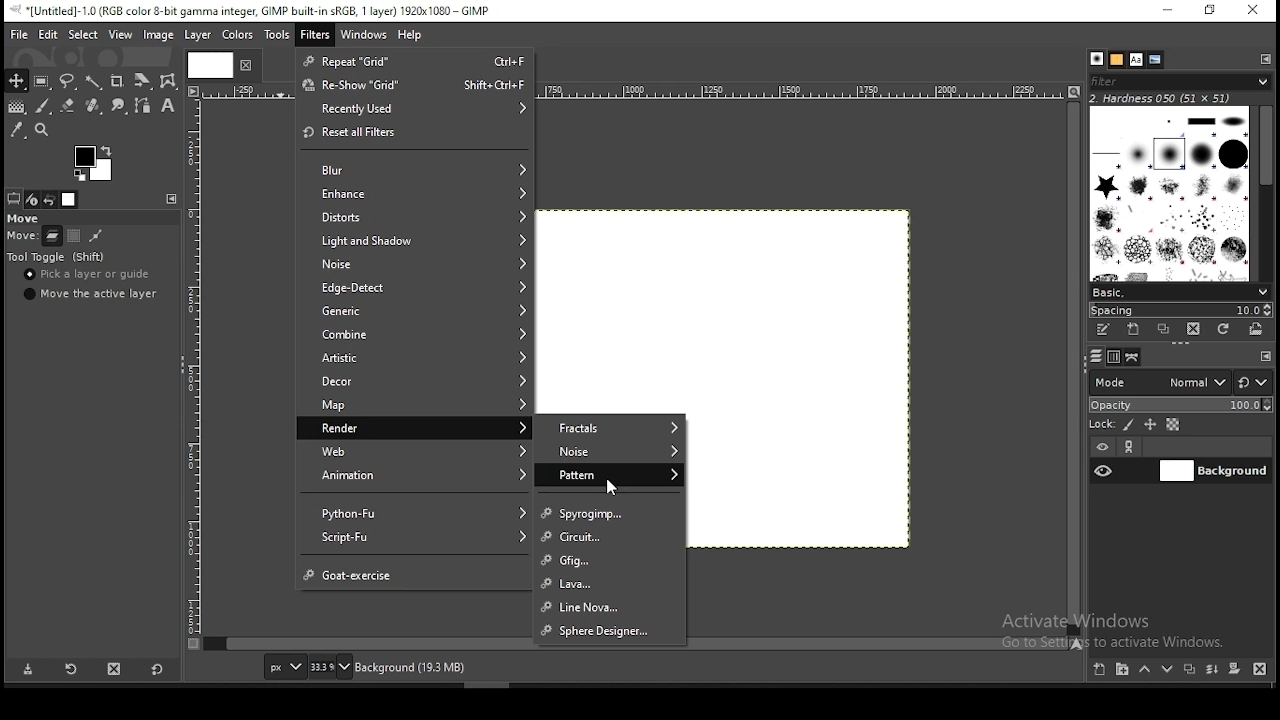 The height and width of the screenshot is (720, 1280). What do you see at coordinates (117, 83) in the screenshot?
I see `crop tool` at bounding box center [117, 83].